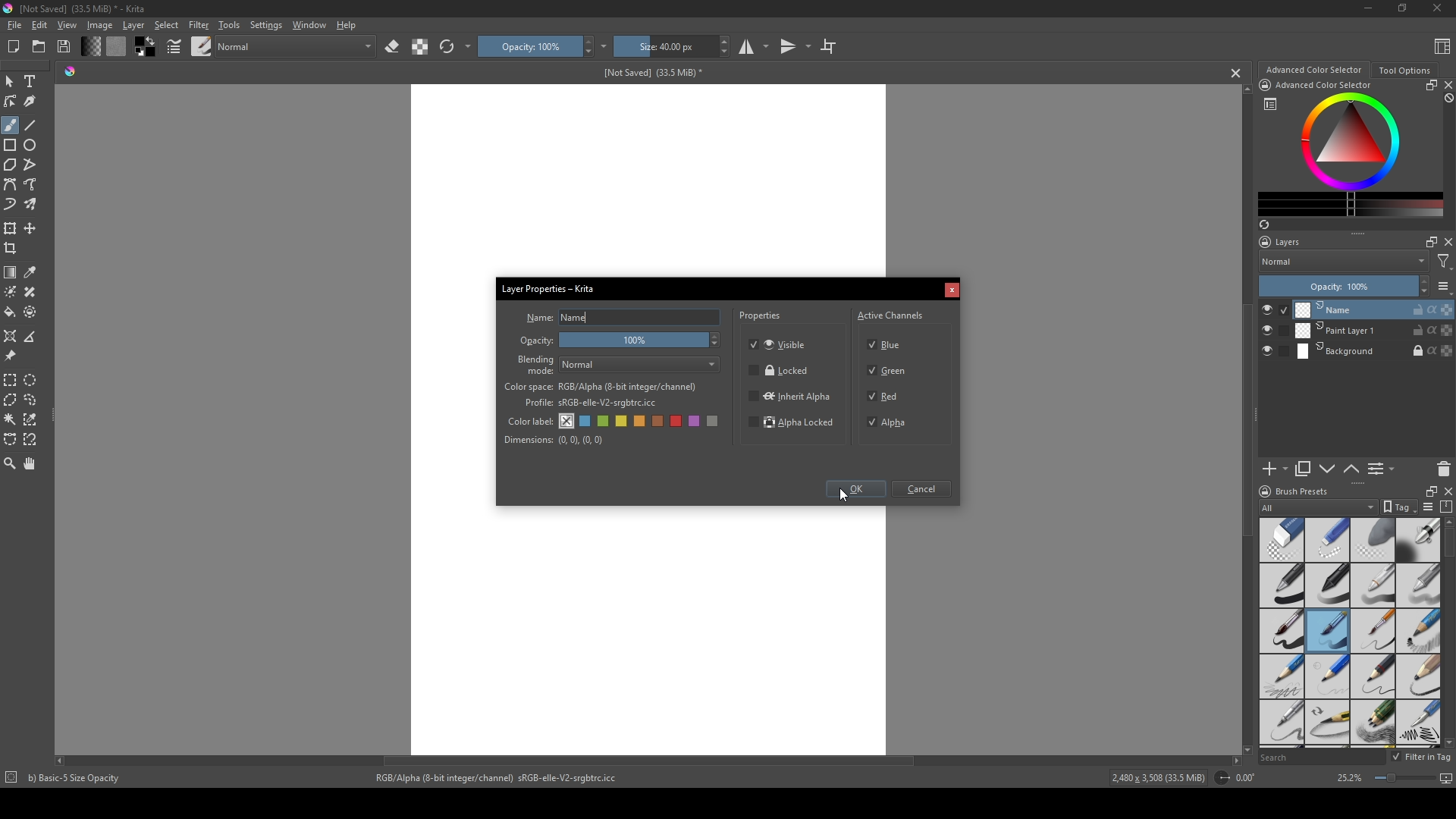 The height and width of the screenshot is (819, 1456). Describe the element at coordinates (1447, 507) in the screenshot. I see `compress` at that location.